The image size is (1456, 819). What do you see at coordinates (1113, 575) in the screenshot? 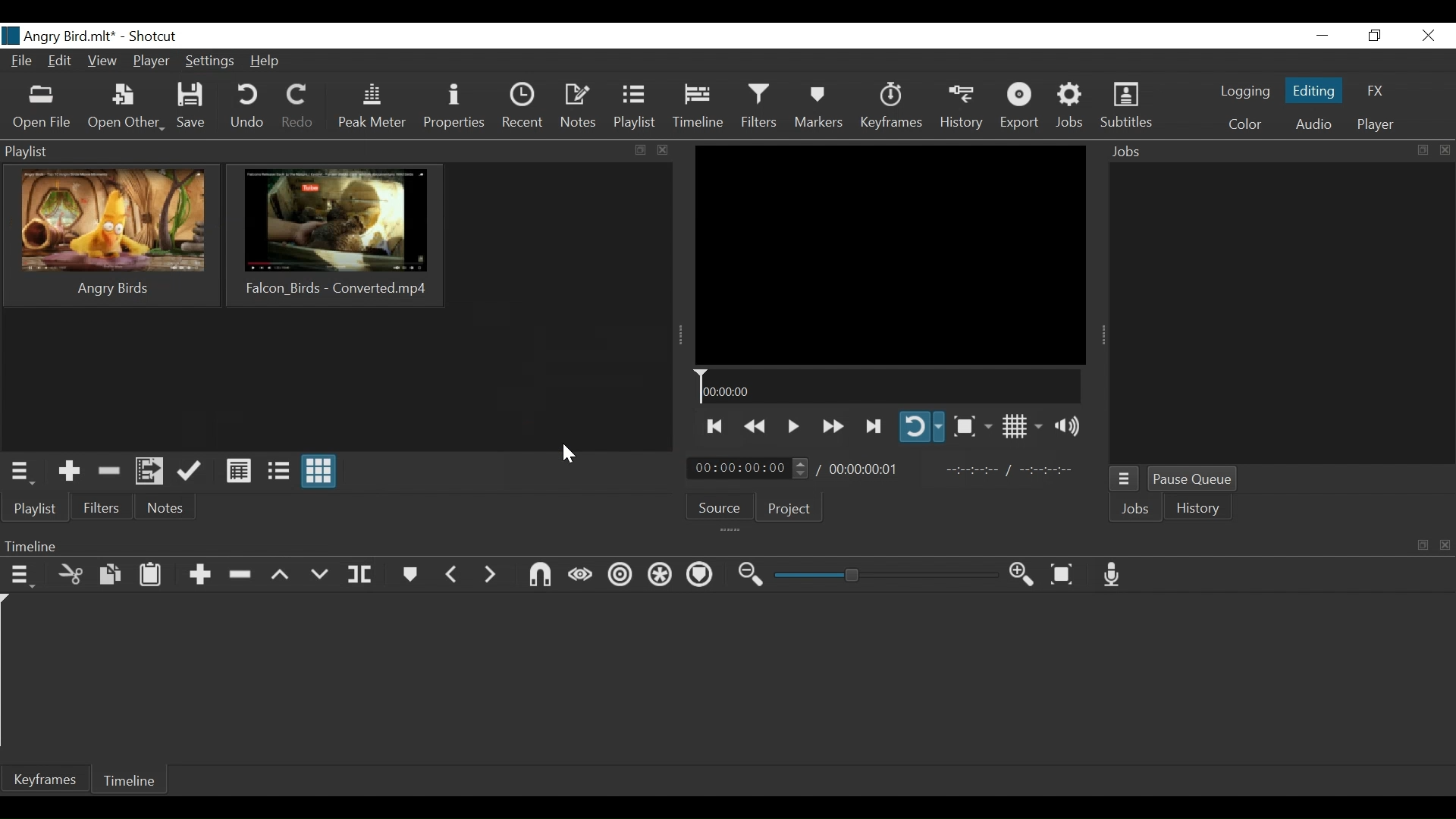
I see `Record Audio` at bounding box center [1113, 575].